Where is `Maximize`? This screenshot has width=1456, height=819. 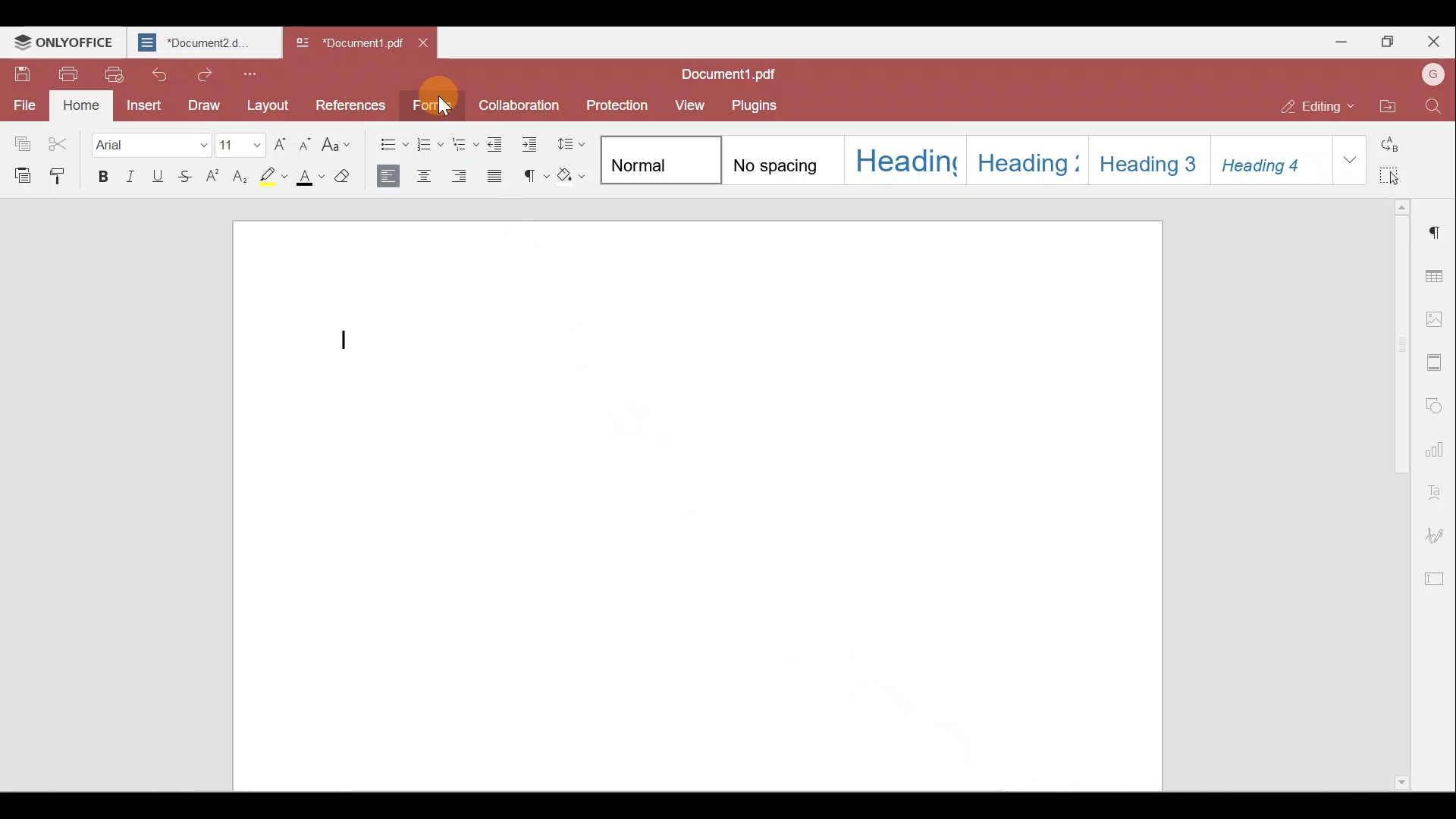 Maximize is located at coordinates (1389, 39).